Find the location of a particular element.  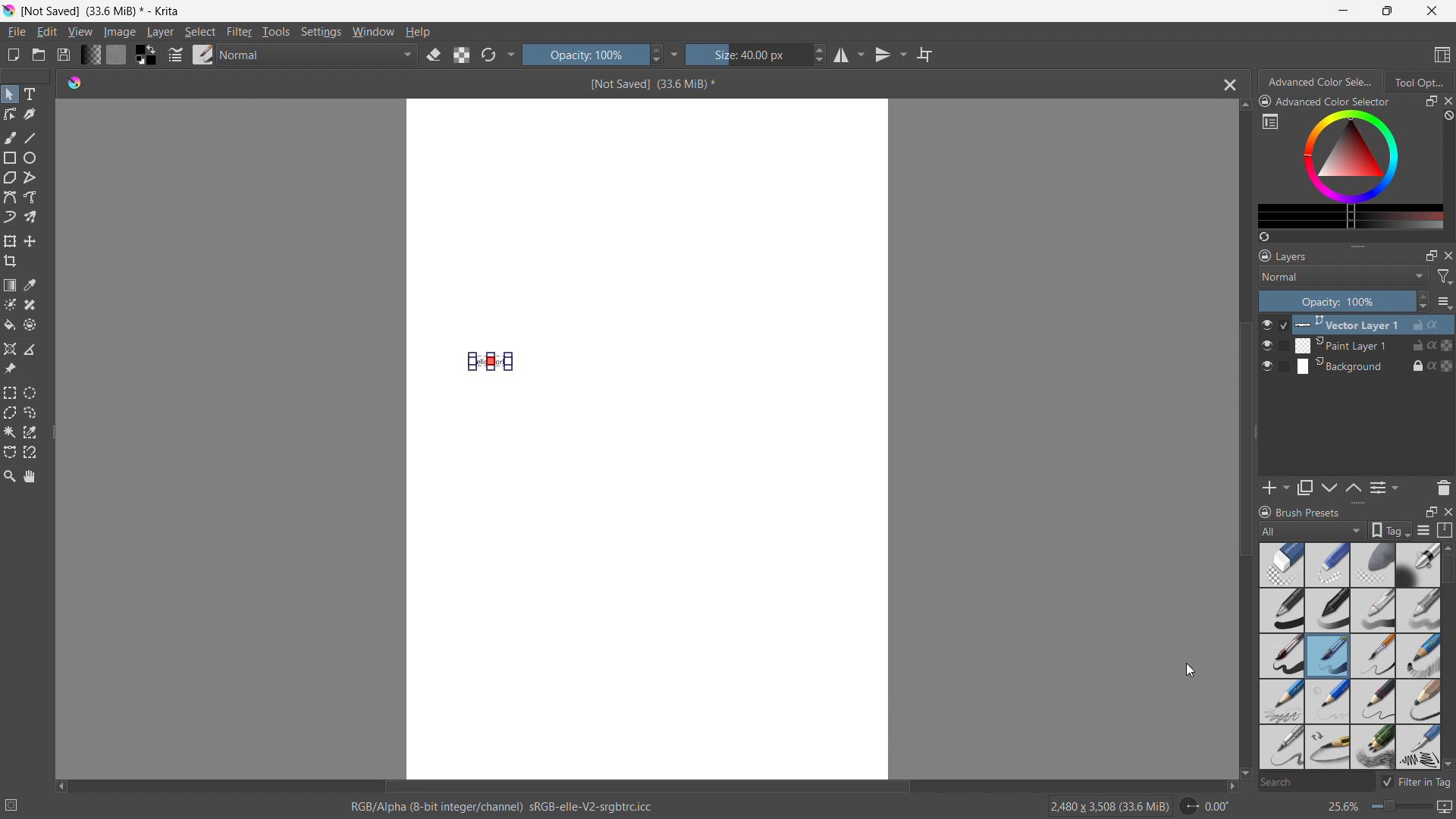

fill pattern is located at coordinates (117, 54).